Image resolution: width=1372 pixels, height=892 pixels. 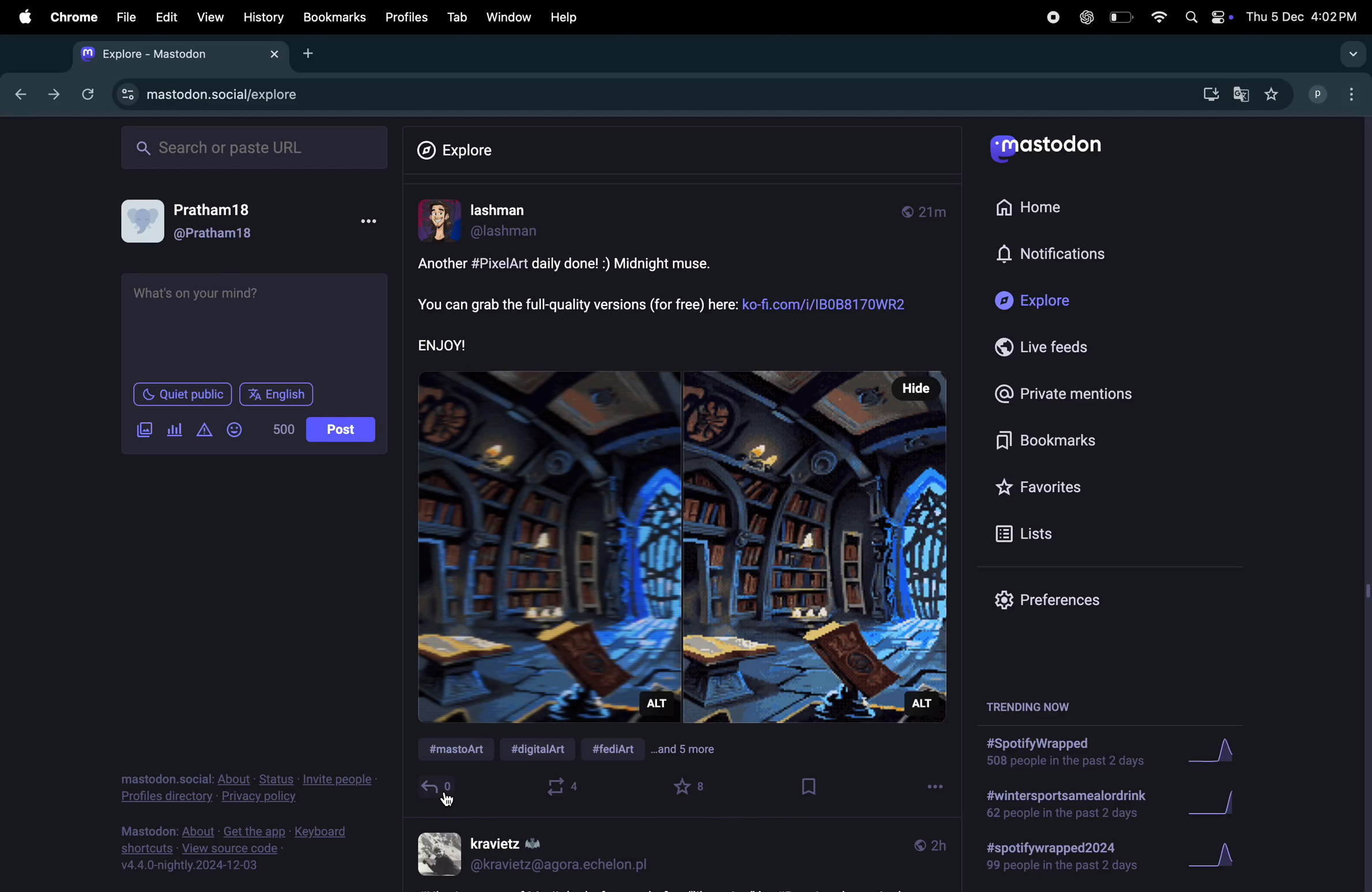 What do you see at coordinates (203, 430) in the screenshot?
I see `alert` at bounding box center [203, 430].